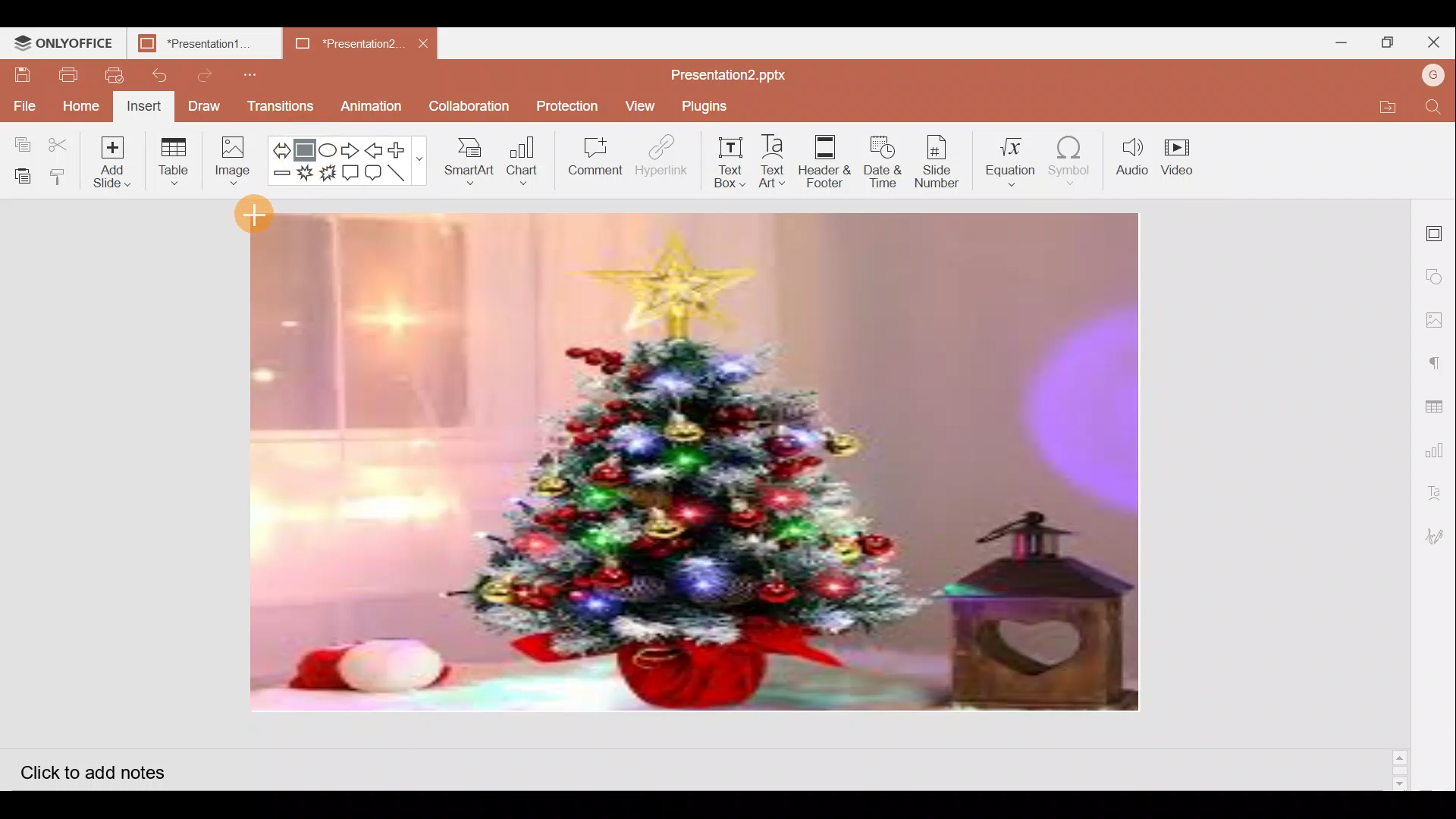 Image resolution: width=1456 pixels, height=819 pixels. What do you see at coordinates (208, 75) in the screenshot?
I see `Redo` at bounding box center [208, 75].